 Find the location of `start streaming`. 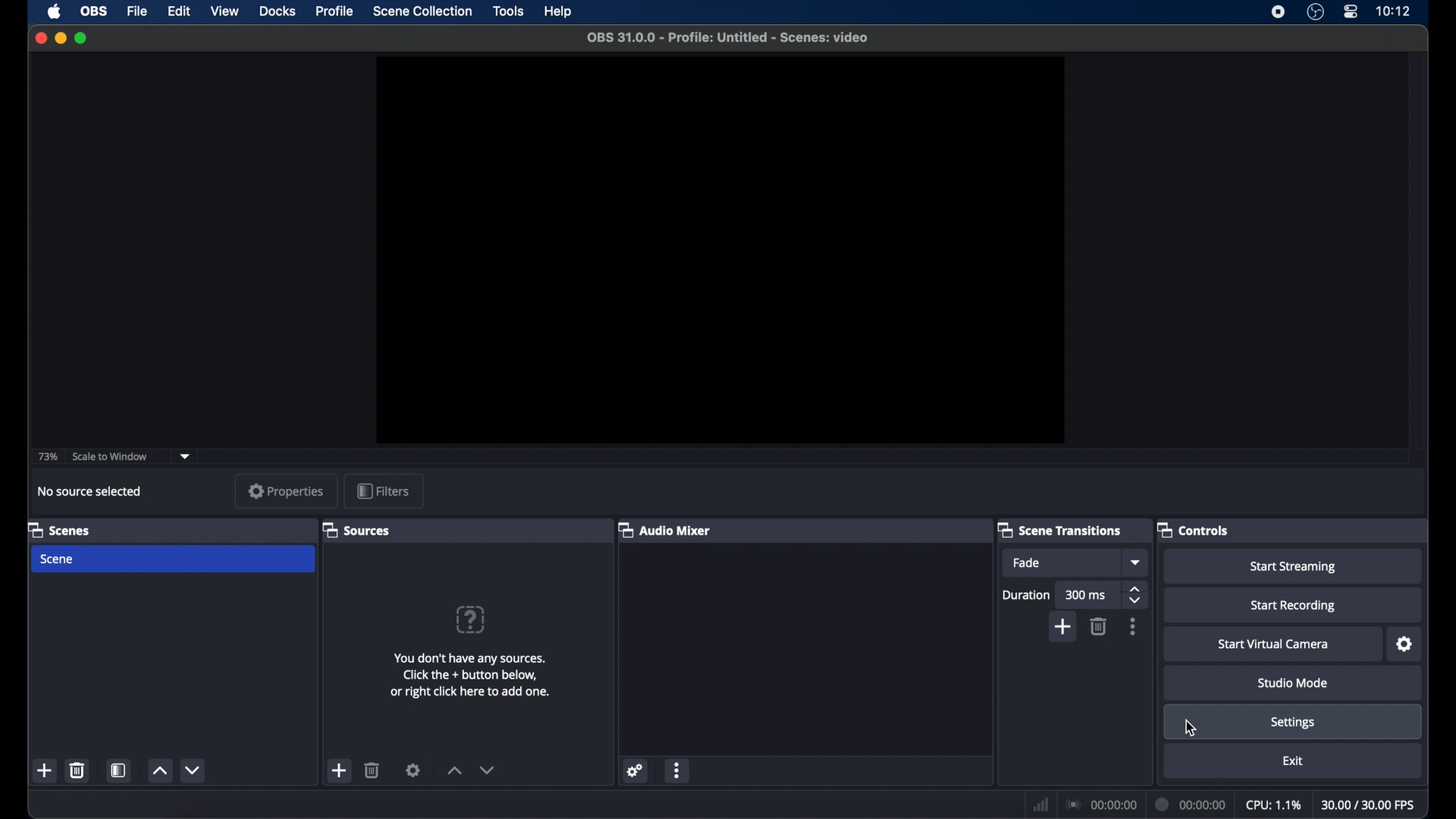

start streaming is located at coordinates (1291, 565).